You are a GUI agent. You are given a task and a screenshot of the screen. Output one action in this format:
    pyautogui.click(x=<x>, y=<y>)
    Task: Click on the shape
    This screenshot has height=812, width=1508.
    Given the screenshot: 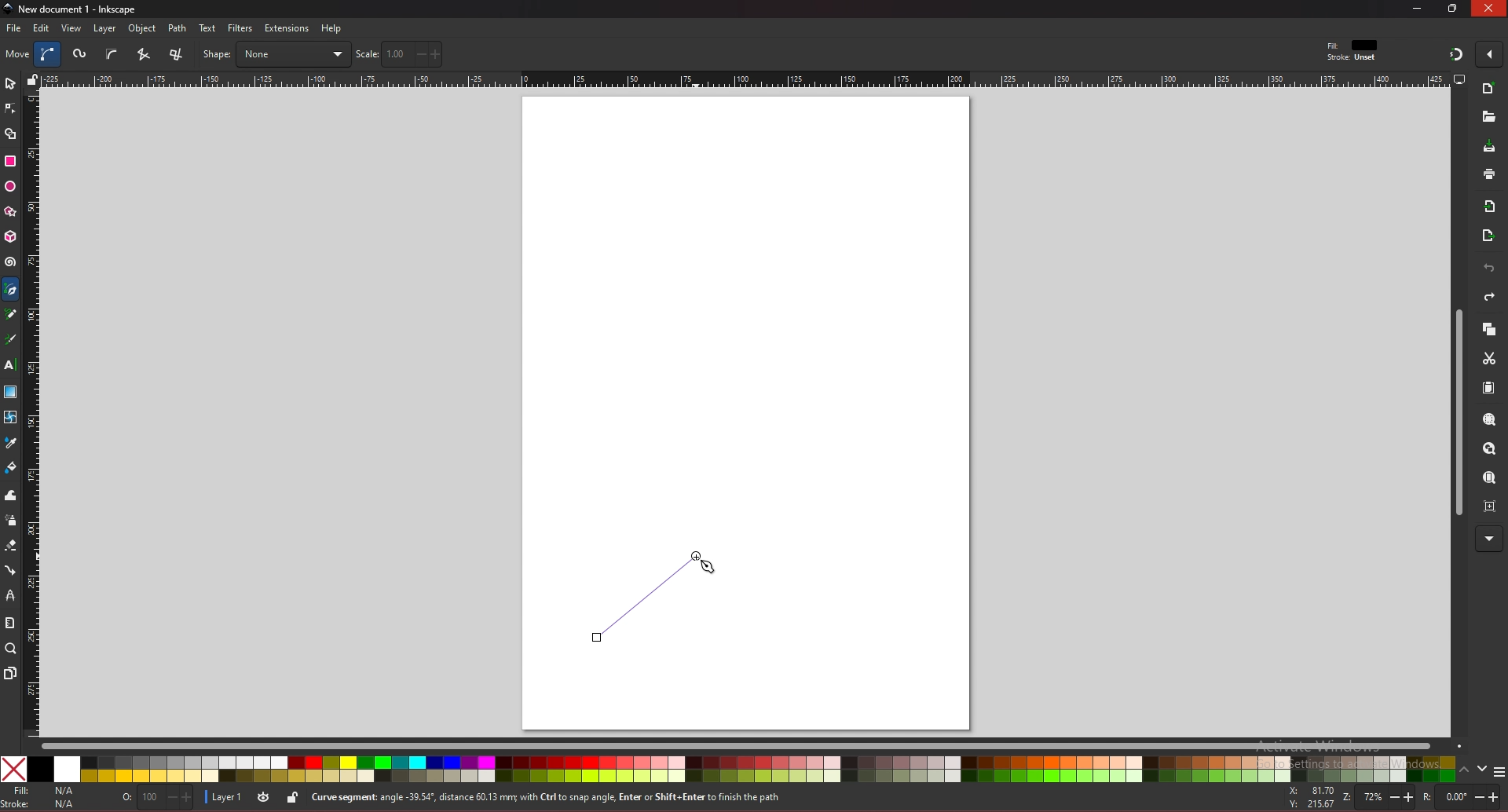 What is the action you would take?
    pyautogui.click(x=276, y=54)
    